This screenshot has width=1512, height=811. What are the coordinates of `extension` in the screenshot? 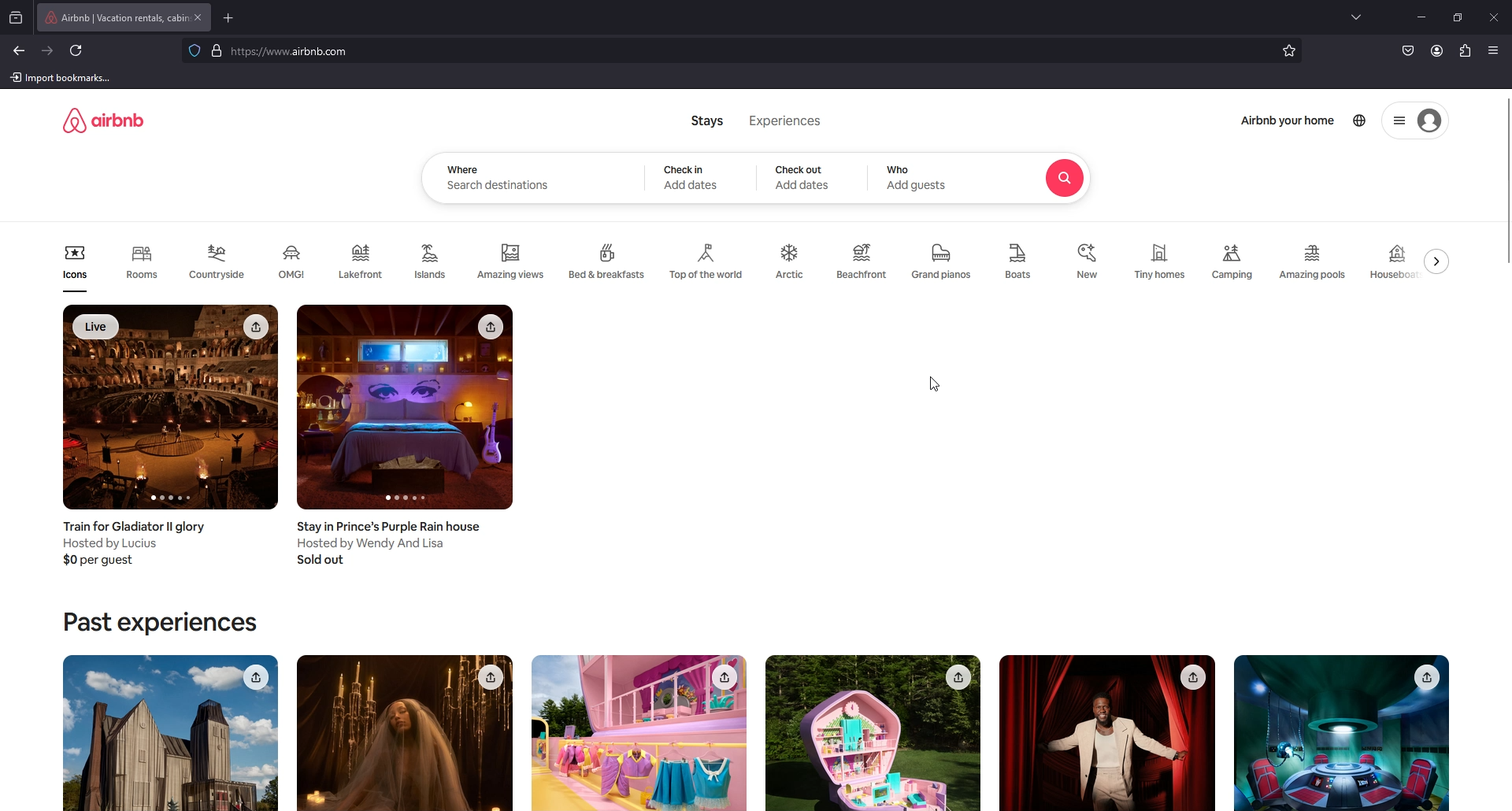 It's located at (1465, 52).